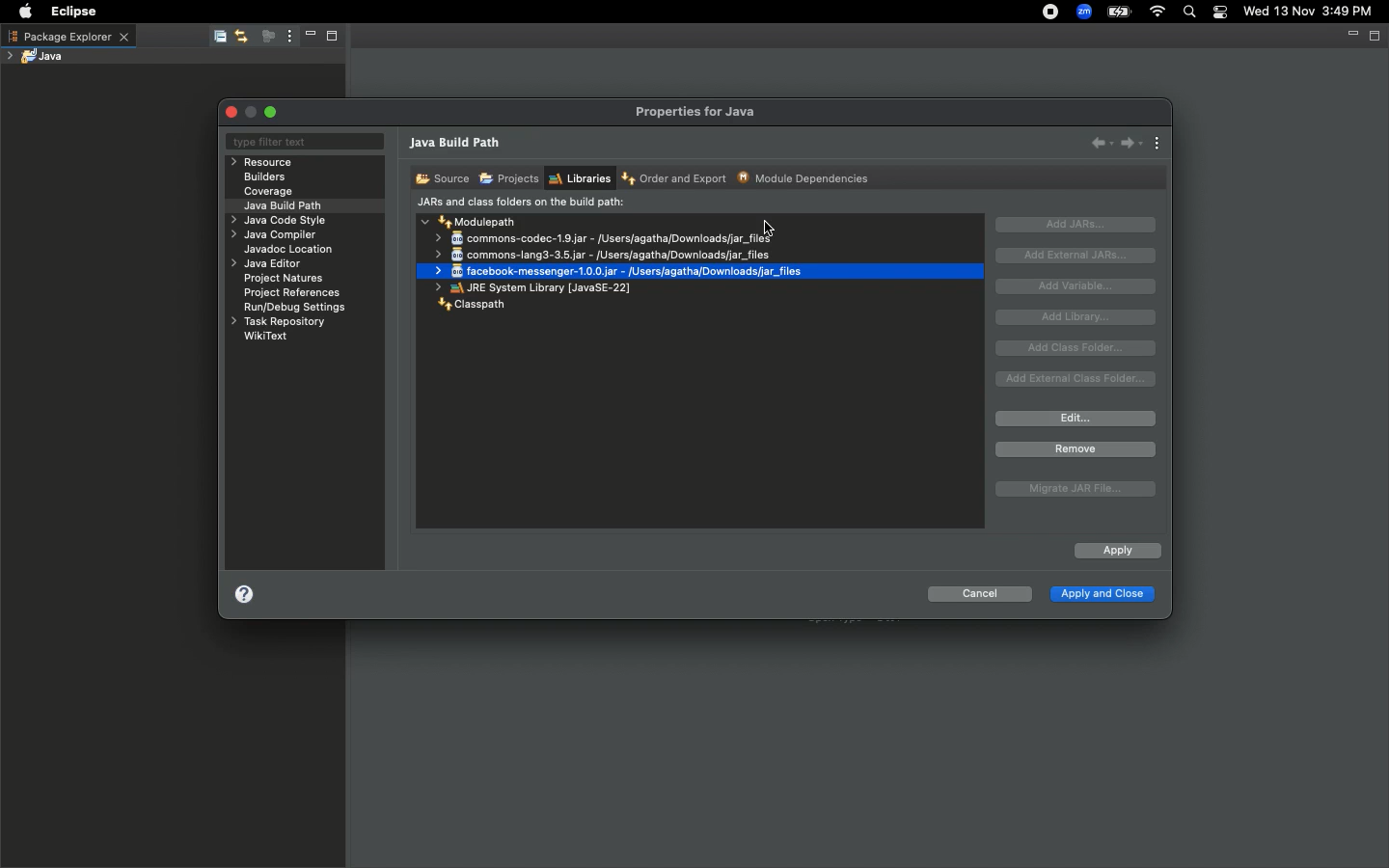 Image resolution: width=1389 pixels, height=868 pixels. Describe the element at coordinates (303, 142) in the screenshot. I see `Type filter text` at that location.